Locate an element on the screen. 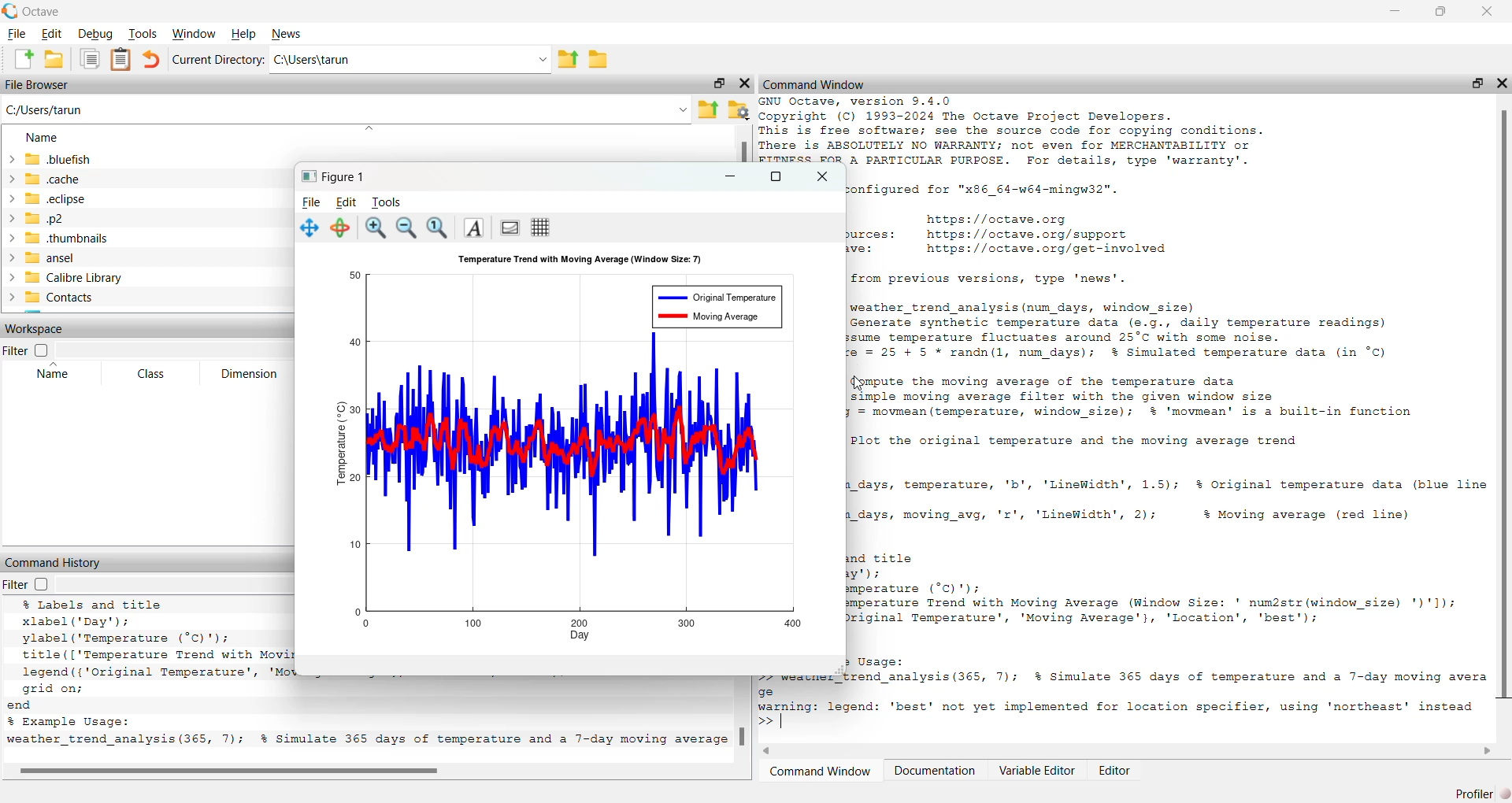 This screenshot has height=803, width=1512. Create a new File is located at coordinates (24, 59).